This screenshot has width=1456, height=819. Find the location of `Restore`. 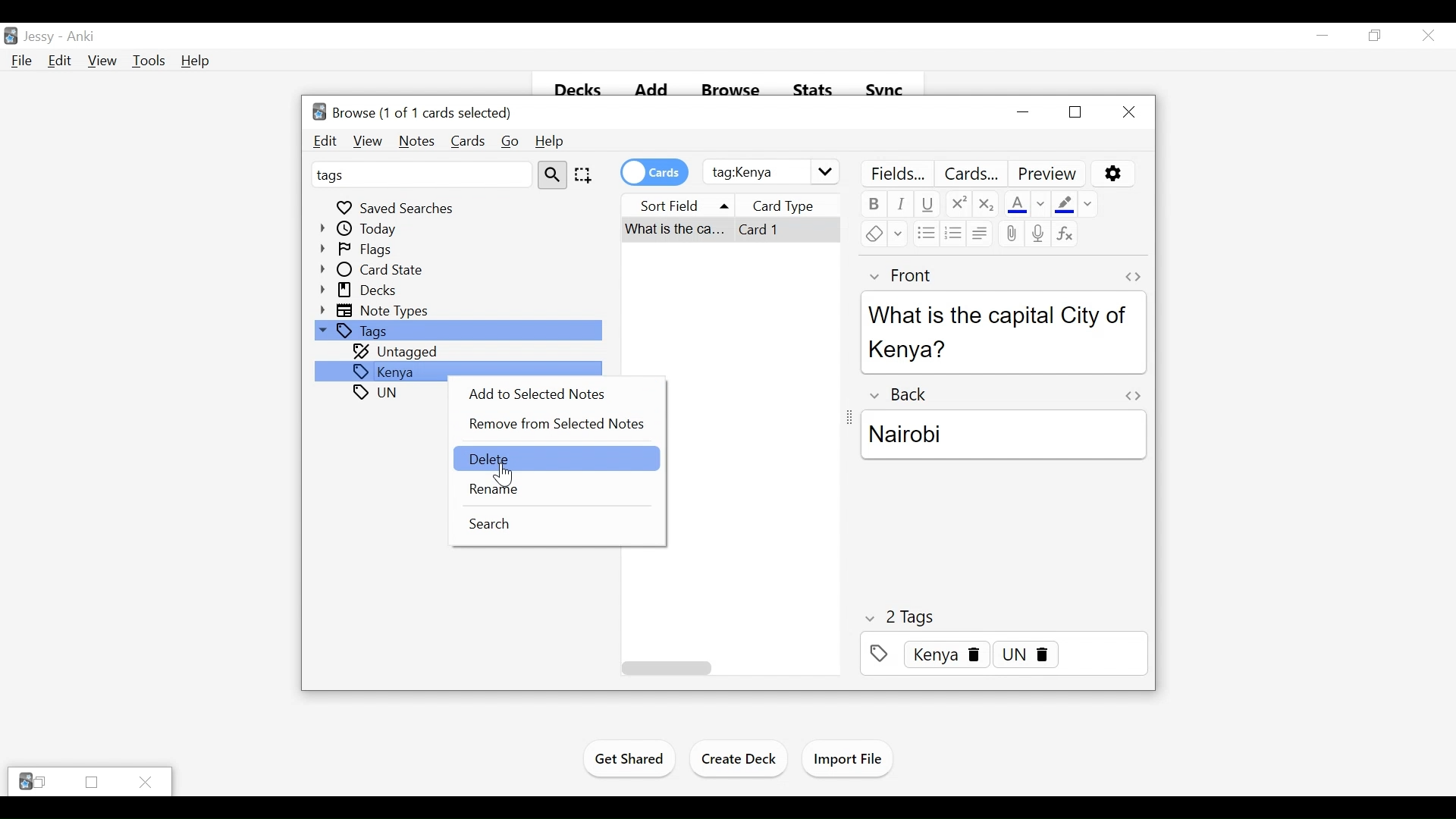

Restore is located at coordinates (1373, 36).